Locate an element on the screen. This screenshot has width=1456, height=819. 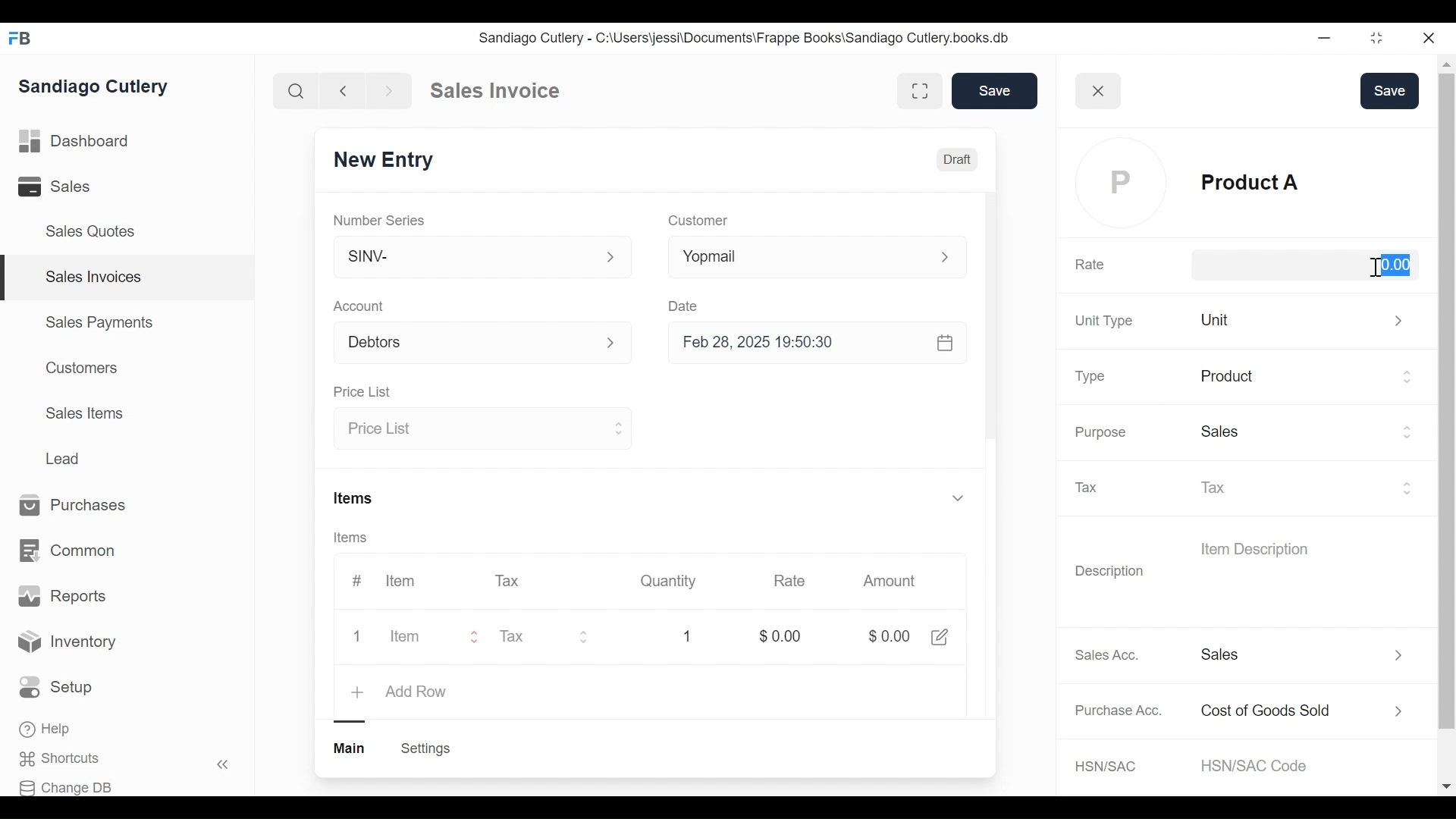
$0.00 is located at coordinates (1389, 264).